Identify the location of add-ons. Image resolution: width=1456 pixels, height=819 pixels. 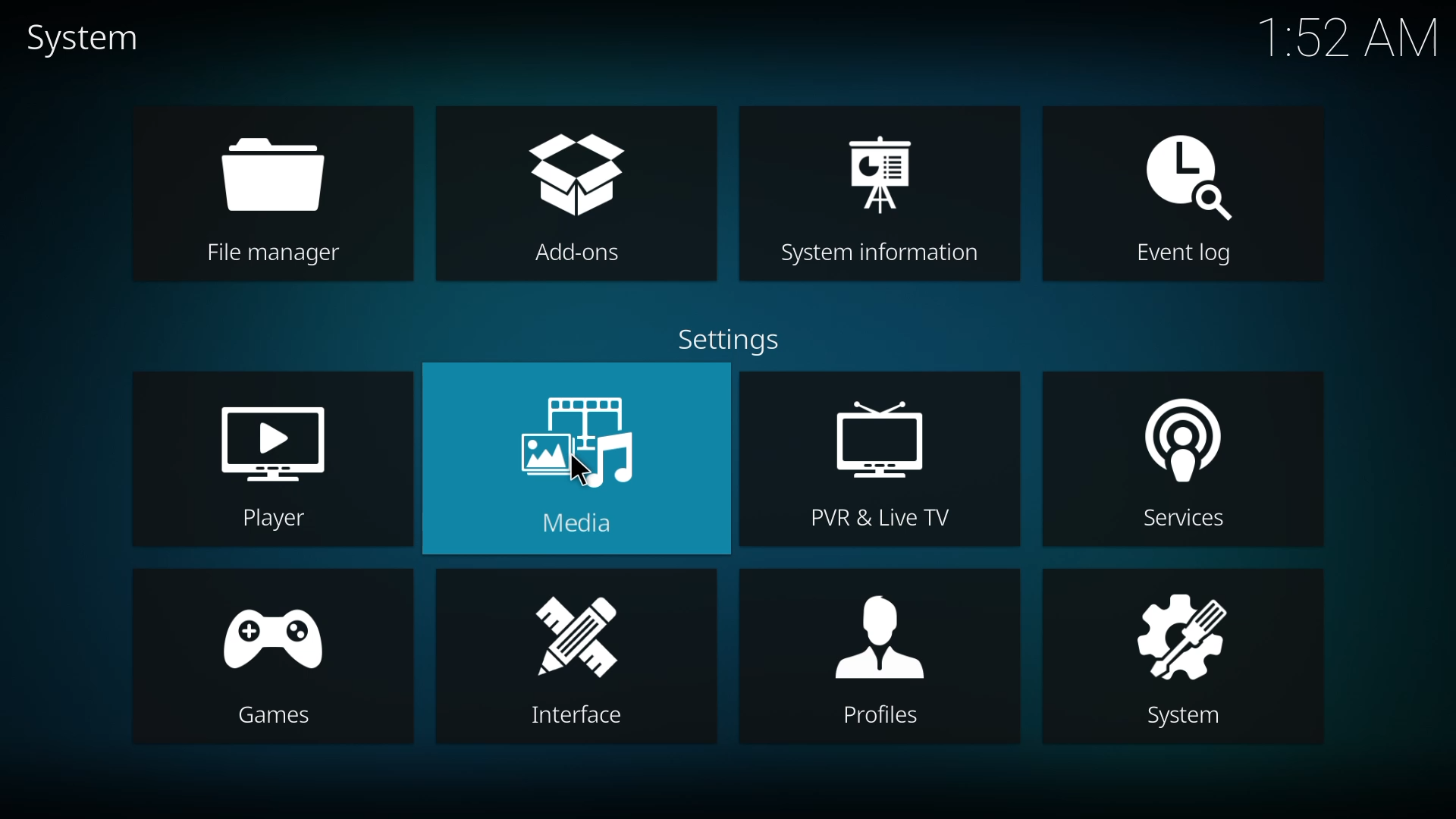
(575, 196).